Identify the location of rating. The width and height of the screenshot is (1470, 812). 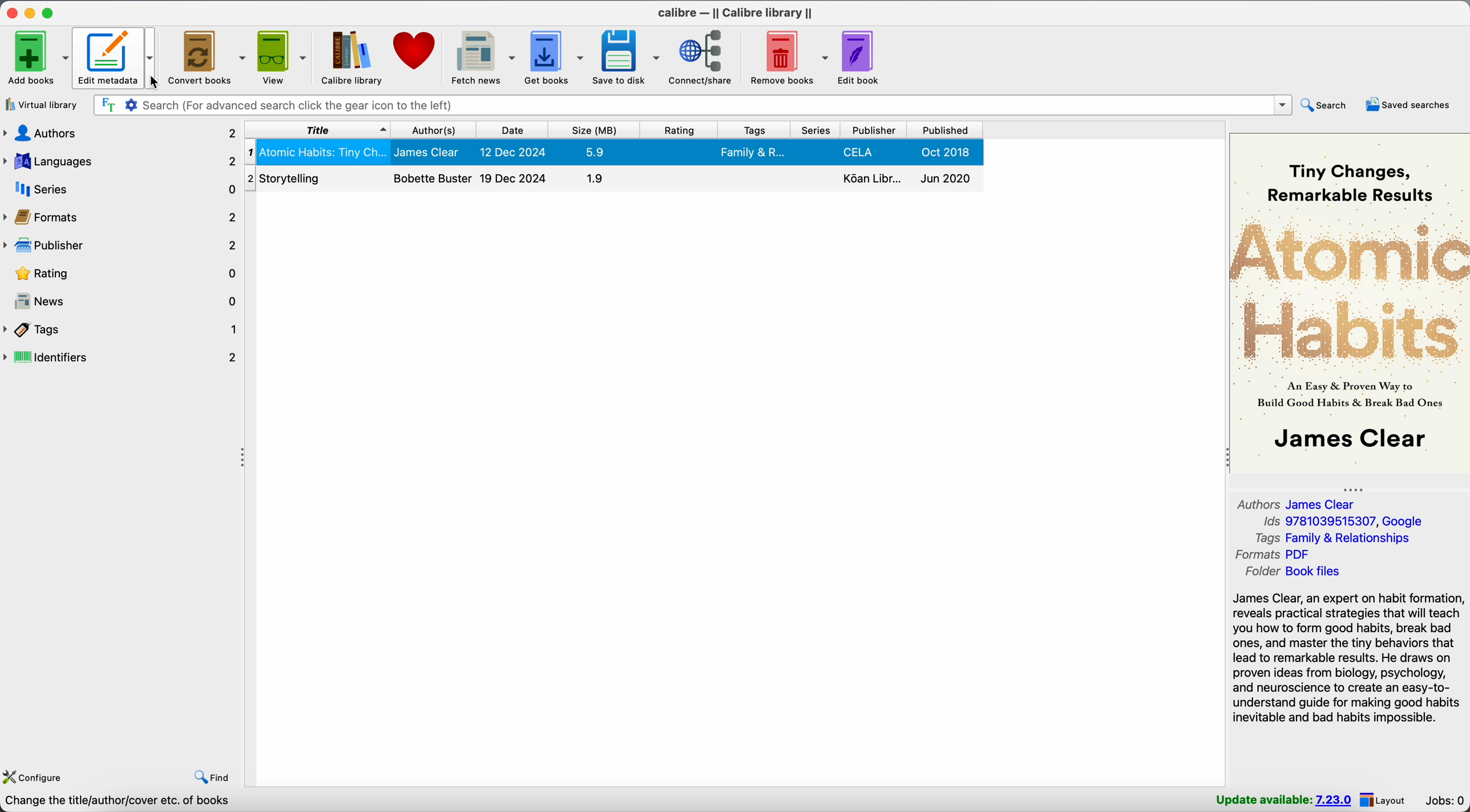
(126, 274).